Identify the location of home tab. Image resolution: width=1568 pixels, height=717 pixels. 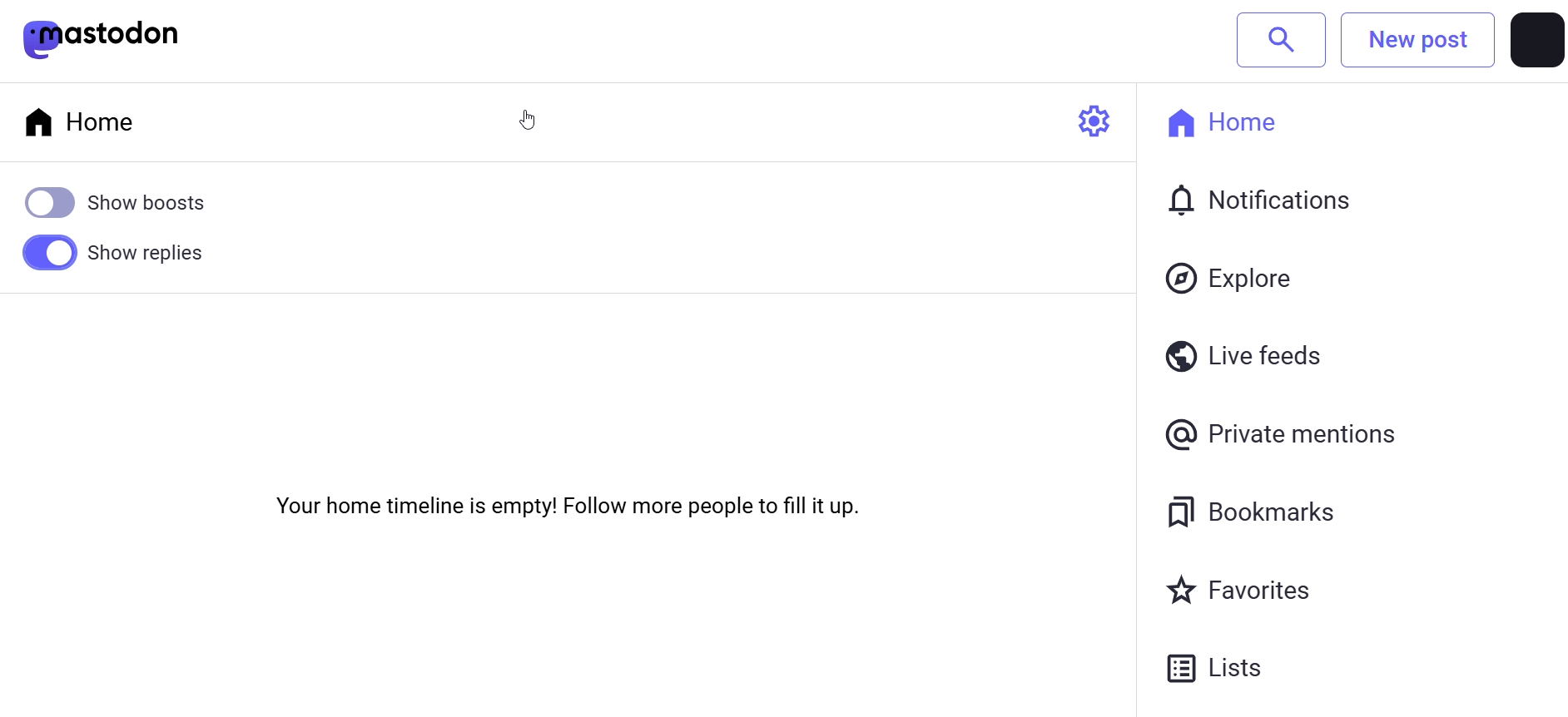
(82, 124).